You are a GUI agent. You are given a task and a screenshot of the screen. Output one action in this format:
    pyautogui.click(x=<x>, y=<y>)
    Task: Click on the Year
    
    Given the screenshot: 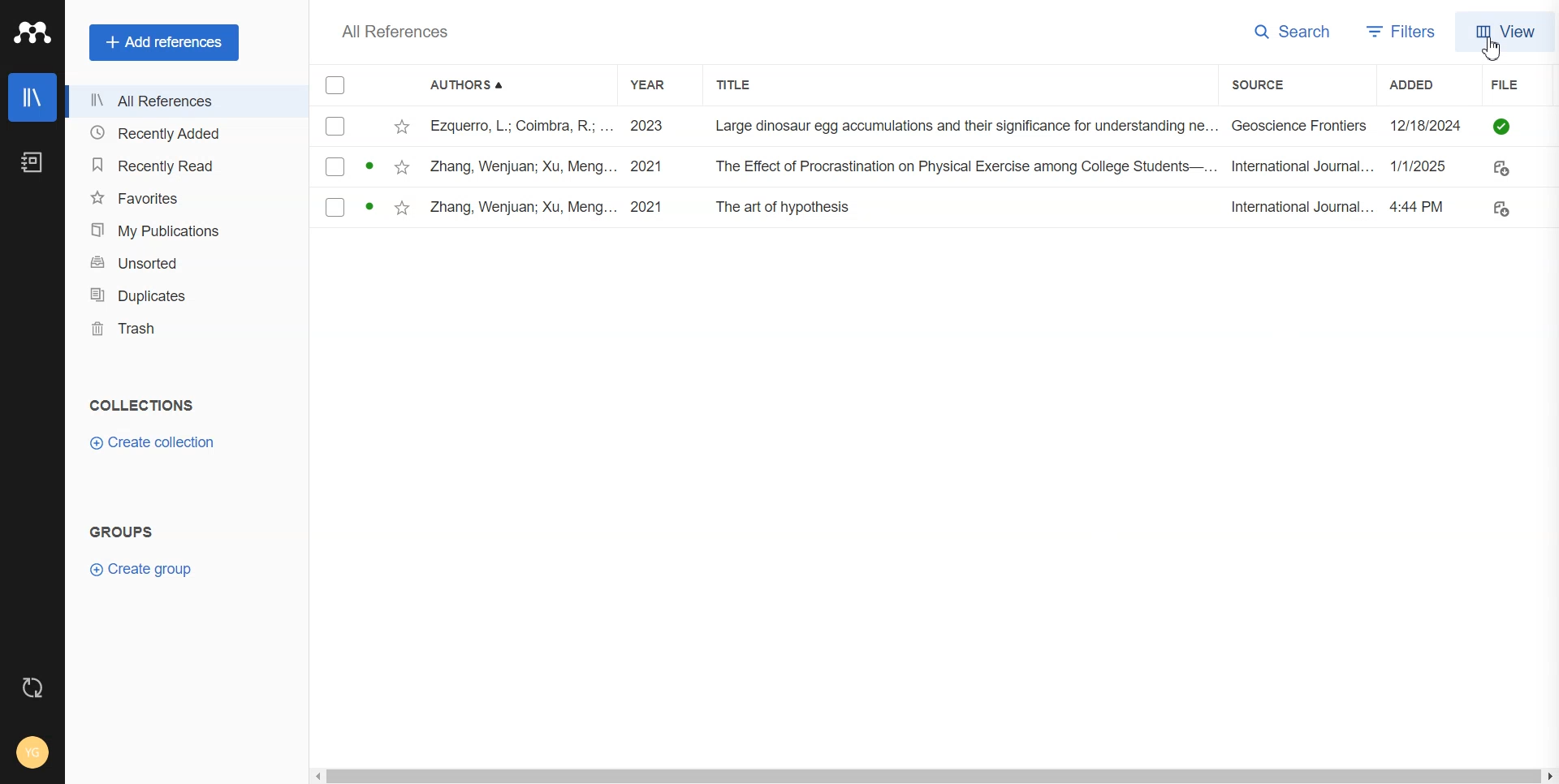 What is the action you would take?
    pyautogui.click(x=659, y=85)
    